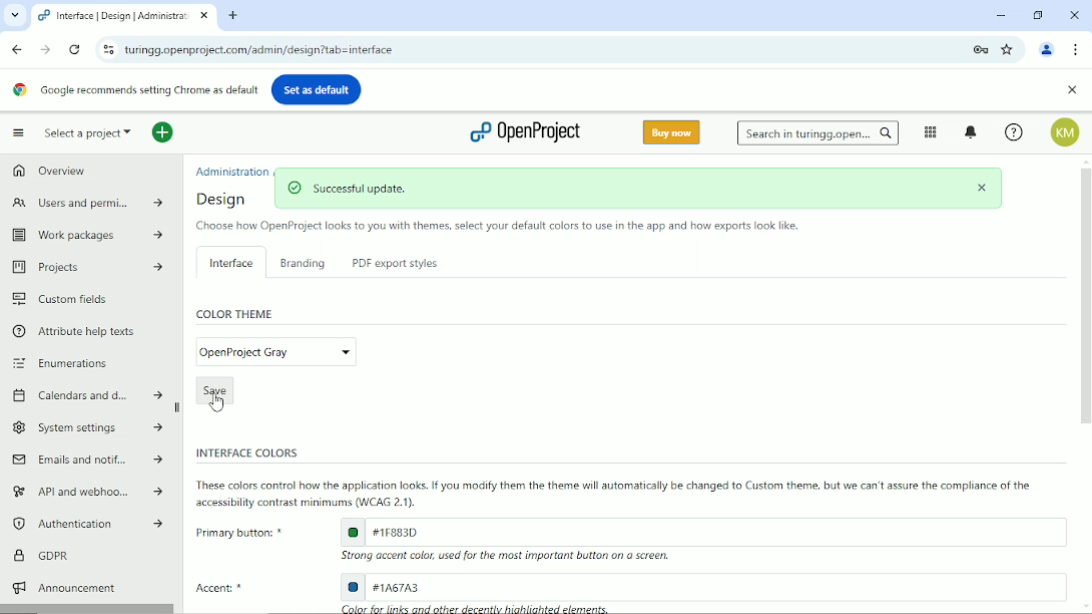  What do you see at coordinates (233, 170) in the screenshot?
I see `Administration` at bounding box center [233, 170].